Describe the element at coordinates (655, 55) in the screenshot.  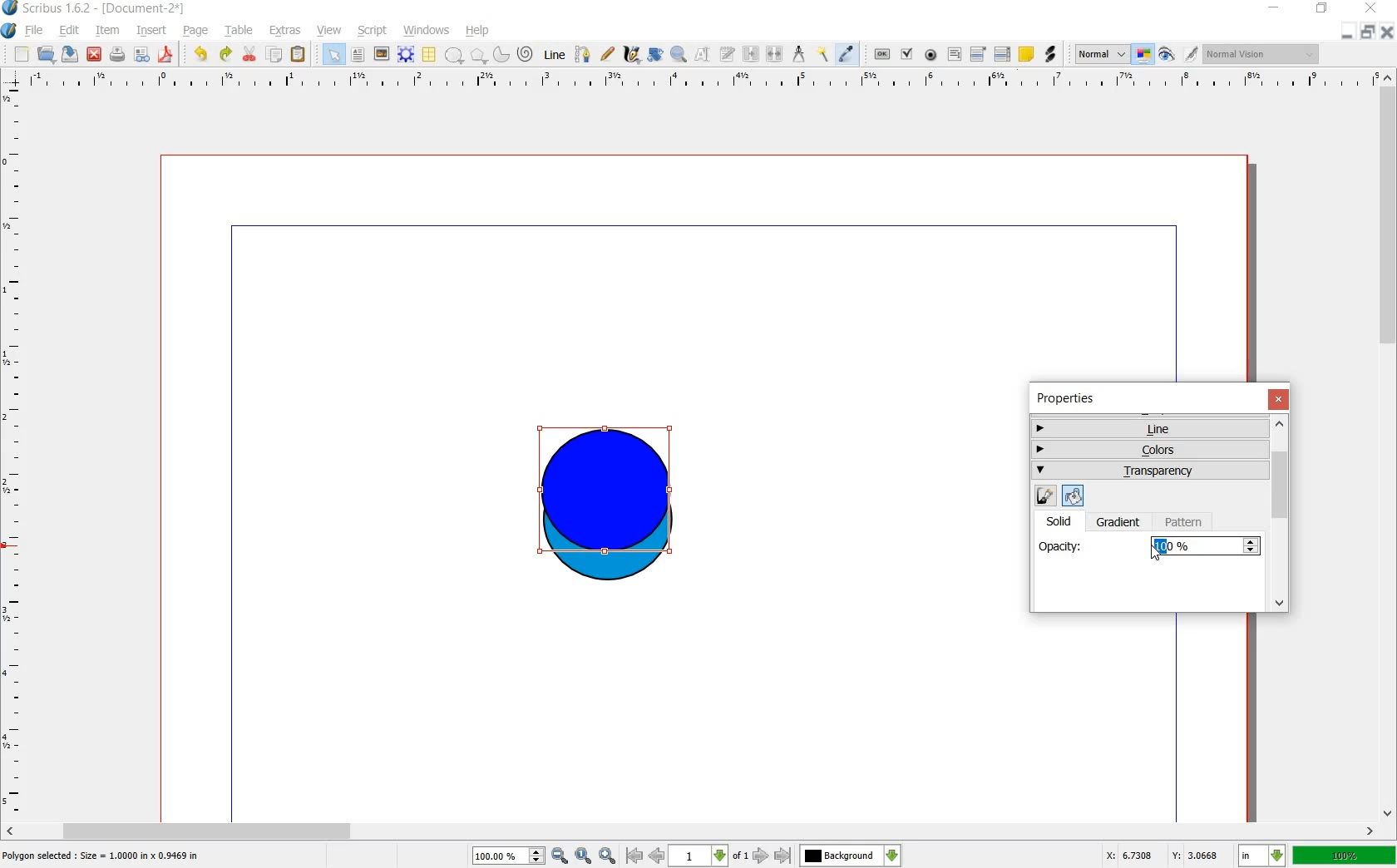
I see `rotate item` at that location.